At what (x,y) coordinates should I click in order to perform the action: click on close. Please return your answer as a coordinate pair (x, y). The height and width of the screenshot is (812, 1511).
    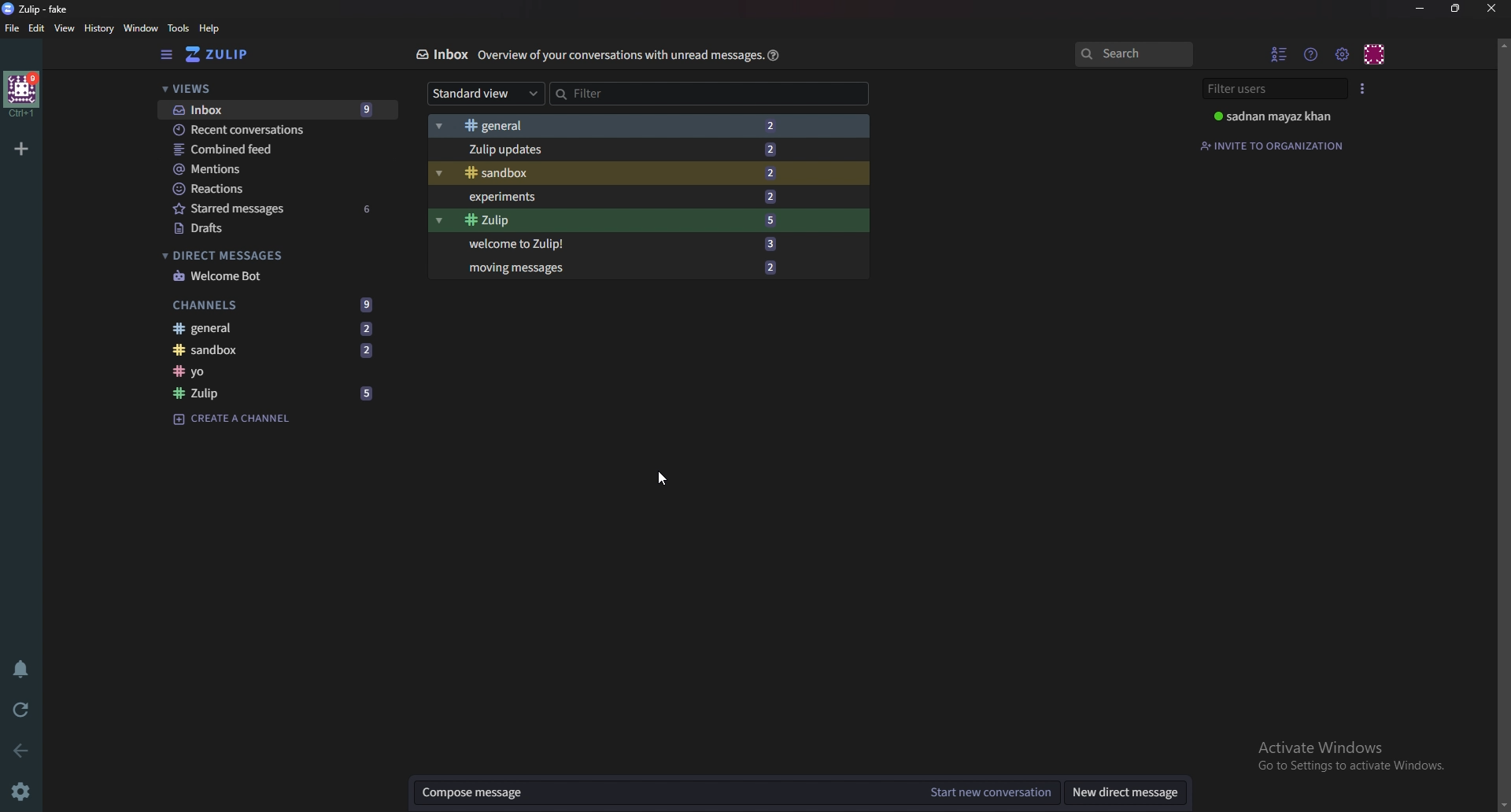
    Looking at the image, I should click on (1492, 9).